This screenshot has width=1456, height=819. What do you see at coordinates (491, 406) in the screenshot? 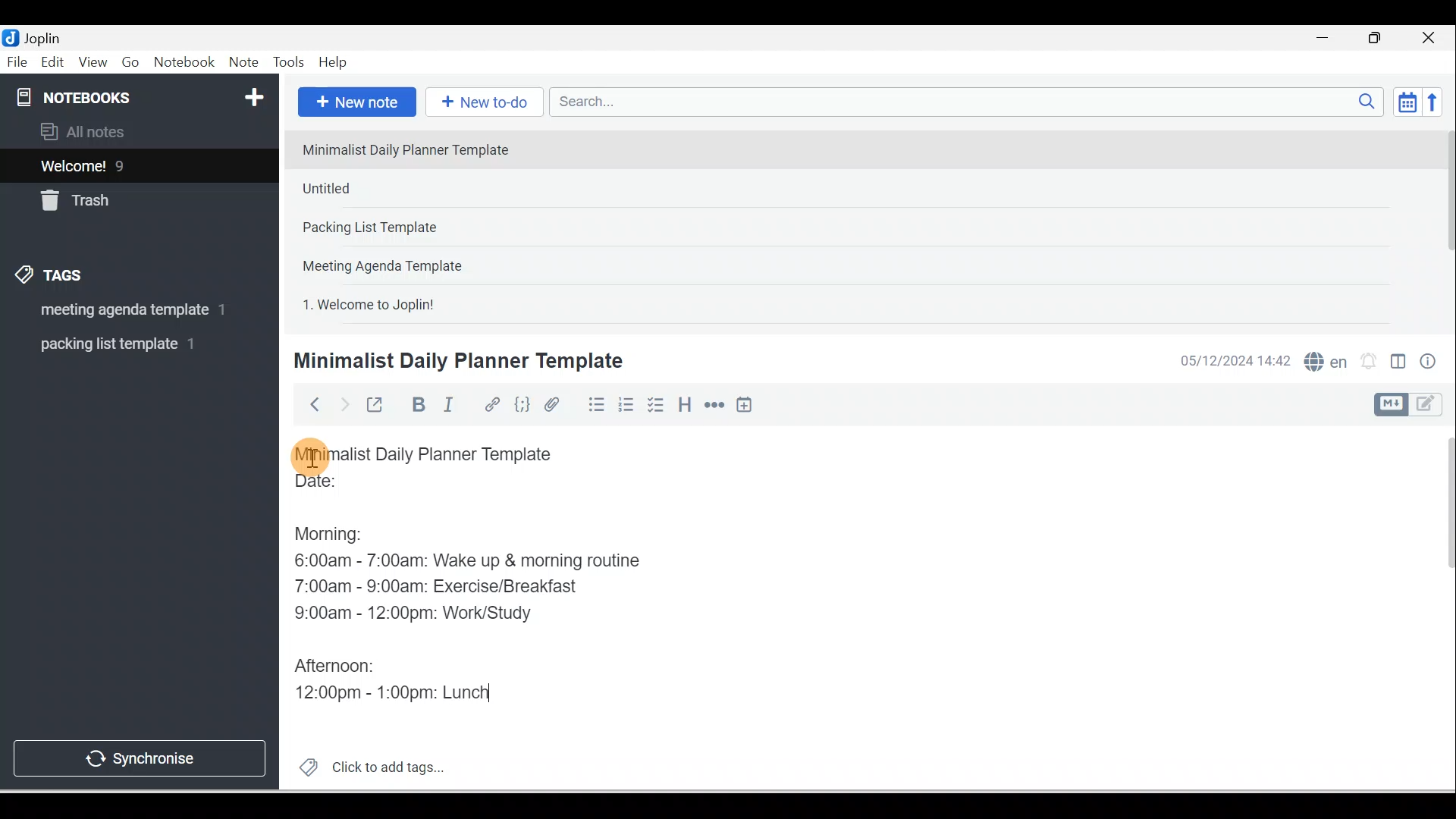
I see `Hyperlink` at bounding box center [491, 406].